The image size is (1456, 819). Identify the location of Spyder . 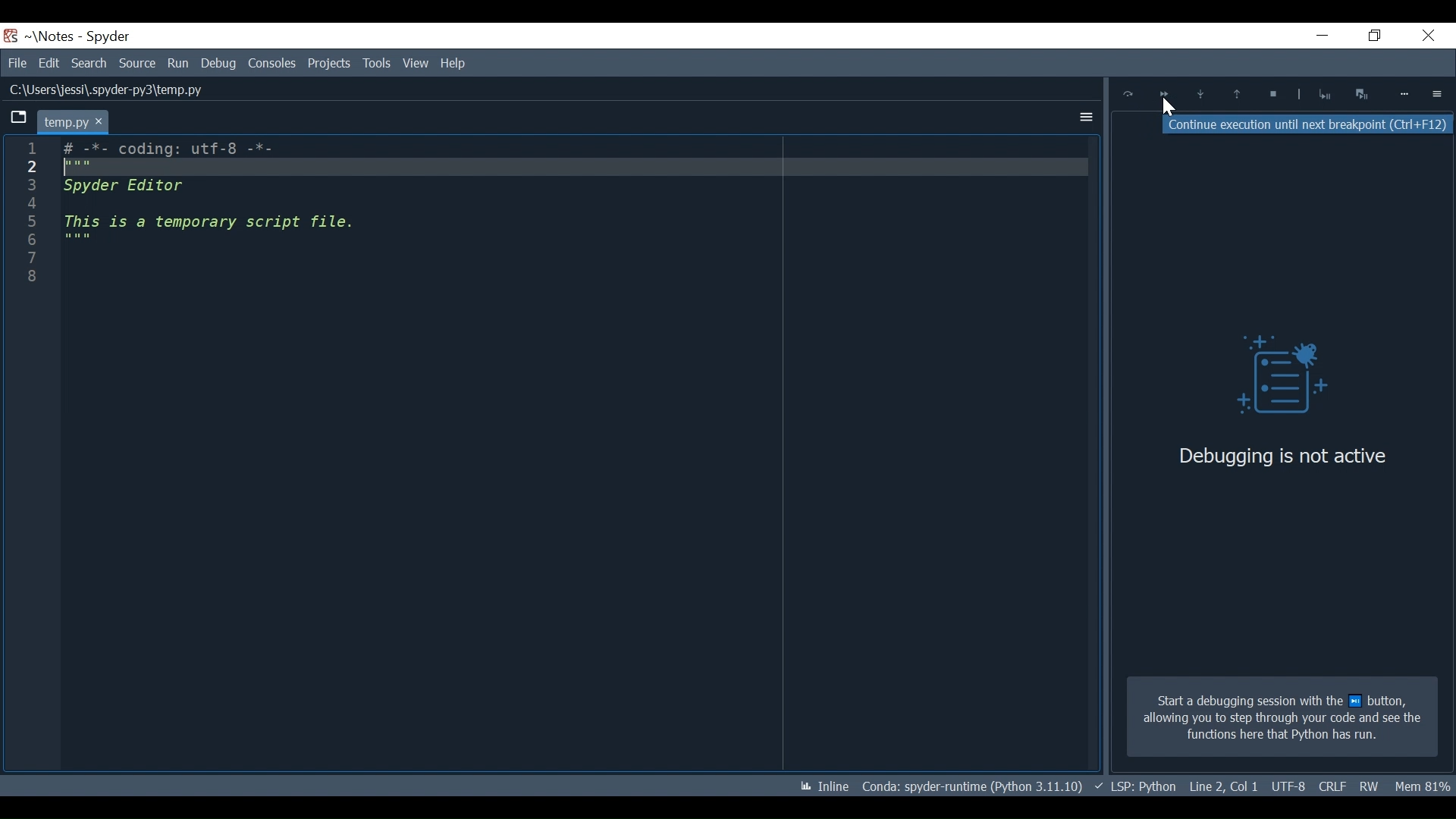
(109, 37).